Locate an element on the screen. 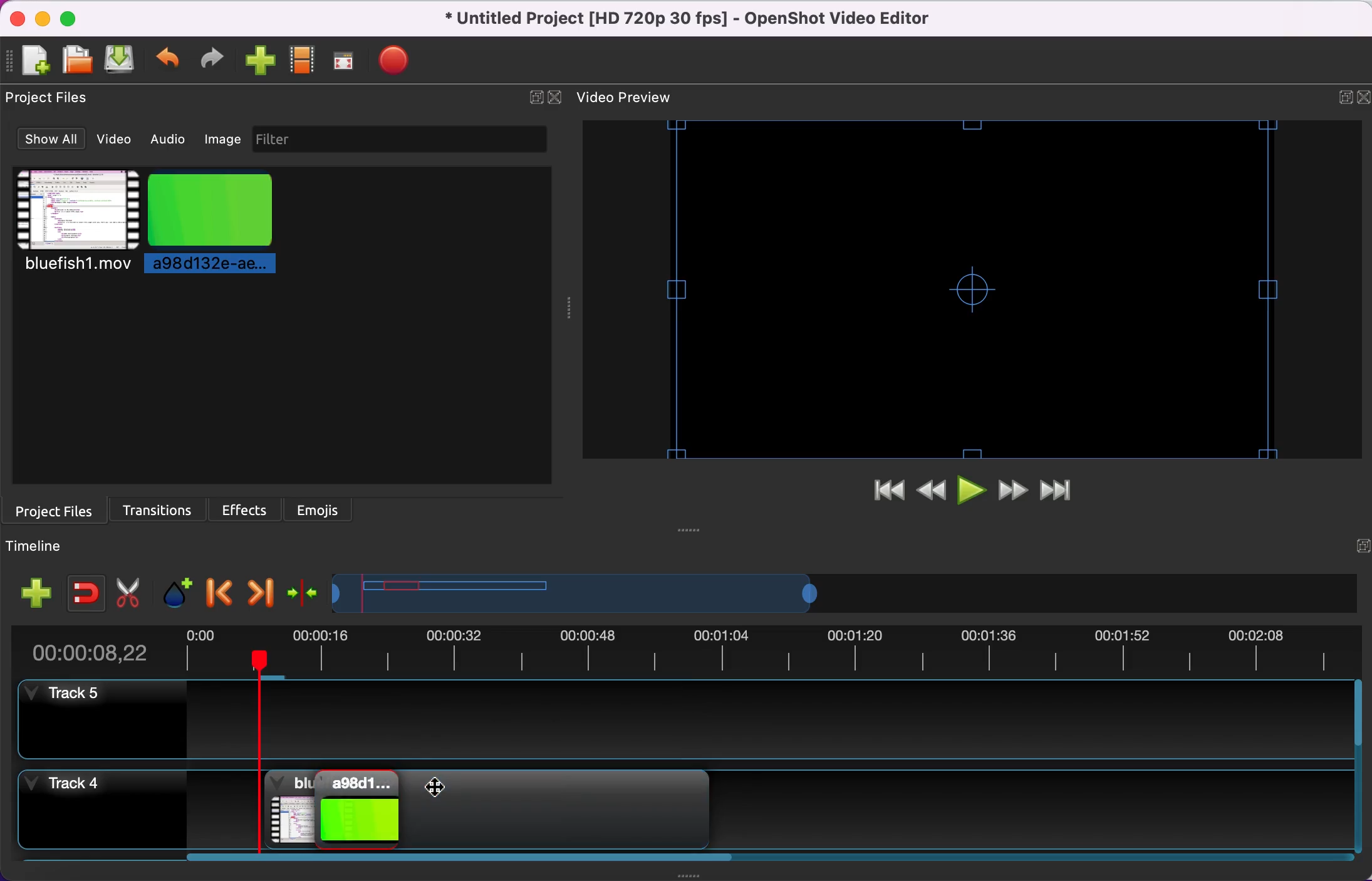  video is located at coordinates (118, 141).